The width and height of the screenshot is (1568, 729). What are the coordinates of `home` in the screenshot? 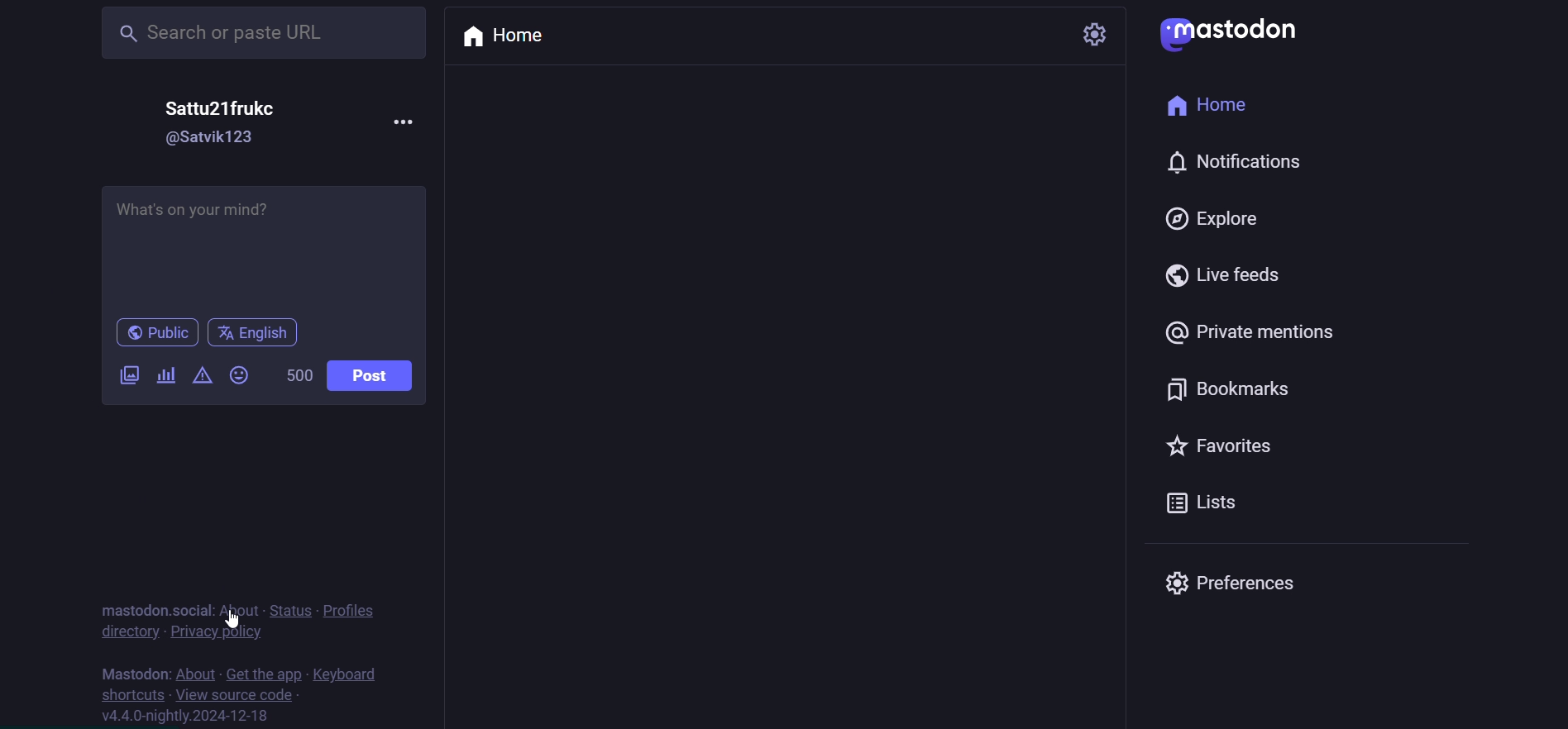 It's located at (509, 39).